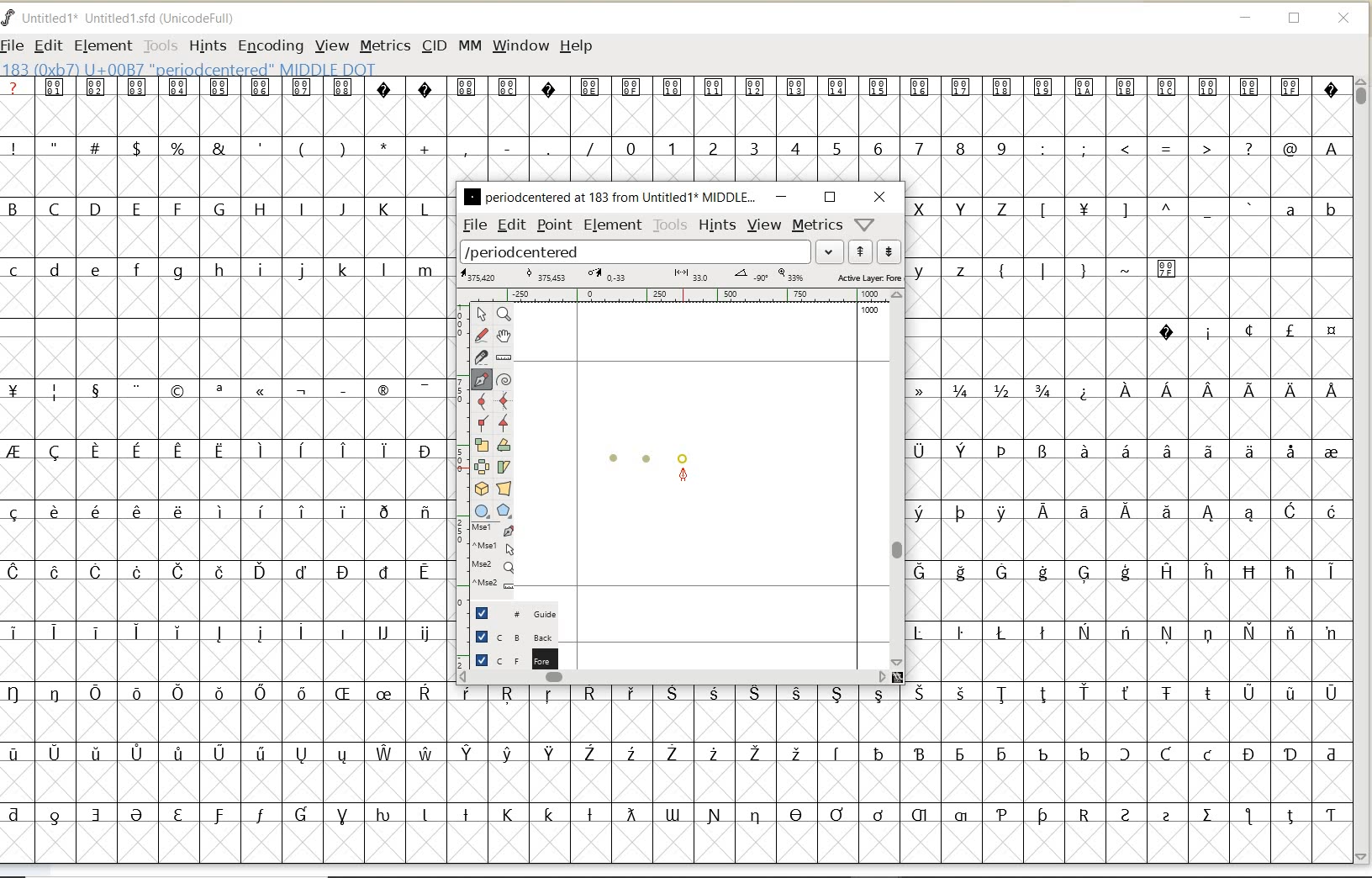 This screenshot has height=878, width=1372. What do you see at coordinates (481, 422) in the screenshot?
I see `Add a corner point` at bounding box center [481, 422].